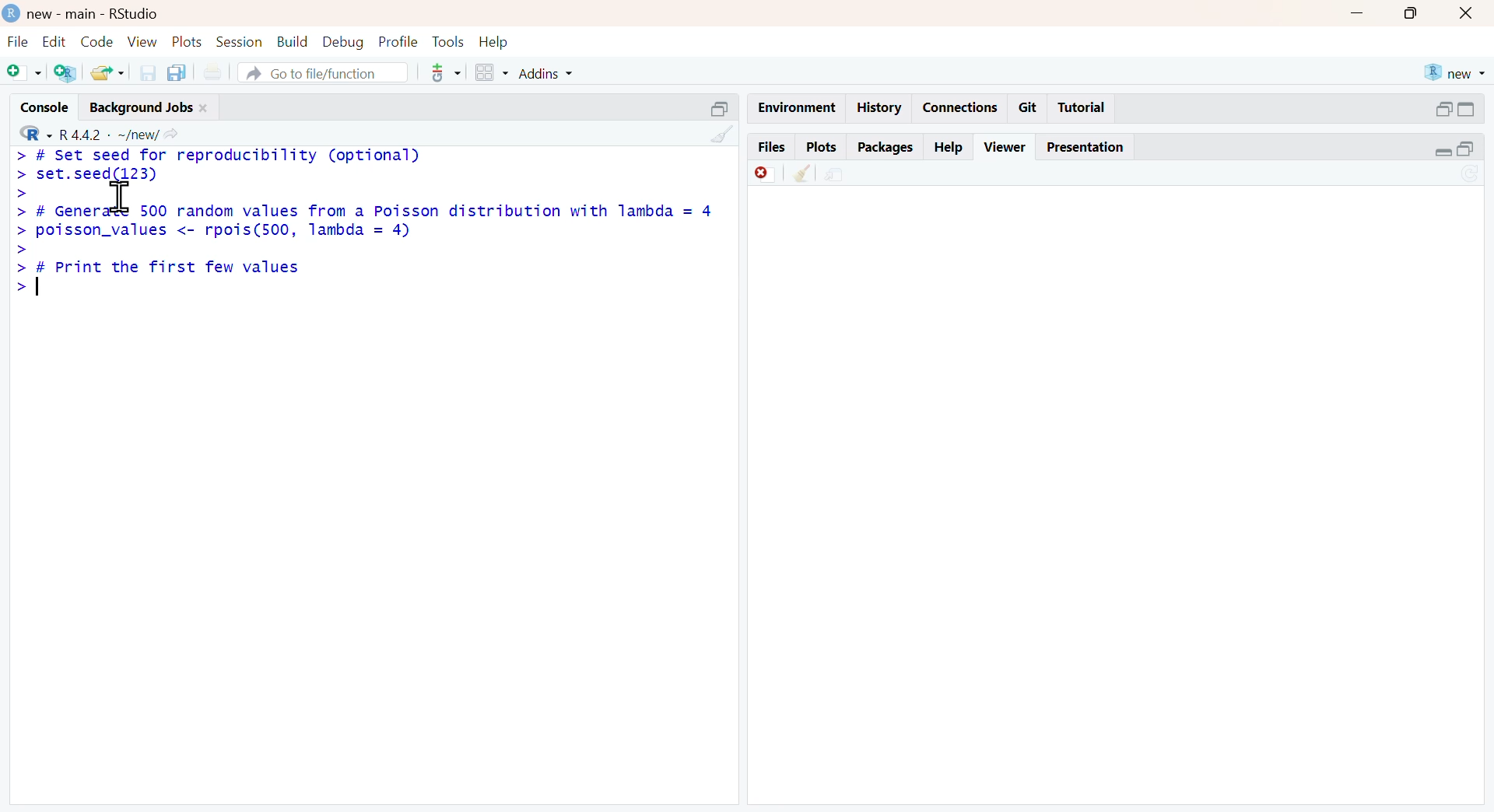 The image size is (1494, 812). I want to click on code, so click(97, 41).